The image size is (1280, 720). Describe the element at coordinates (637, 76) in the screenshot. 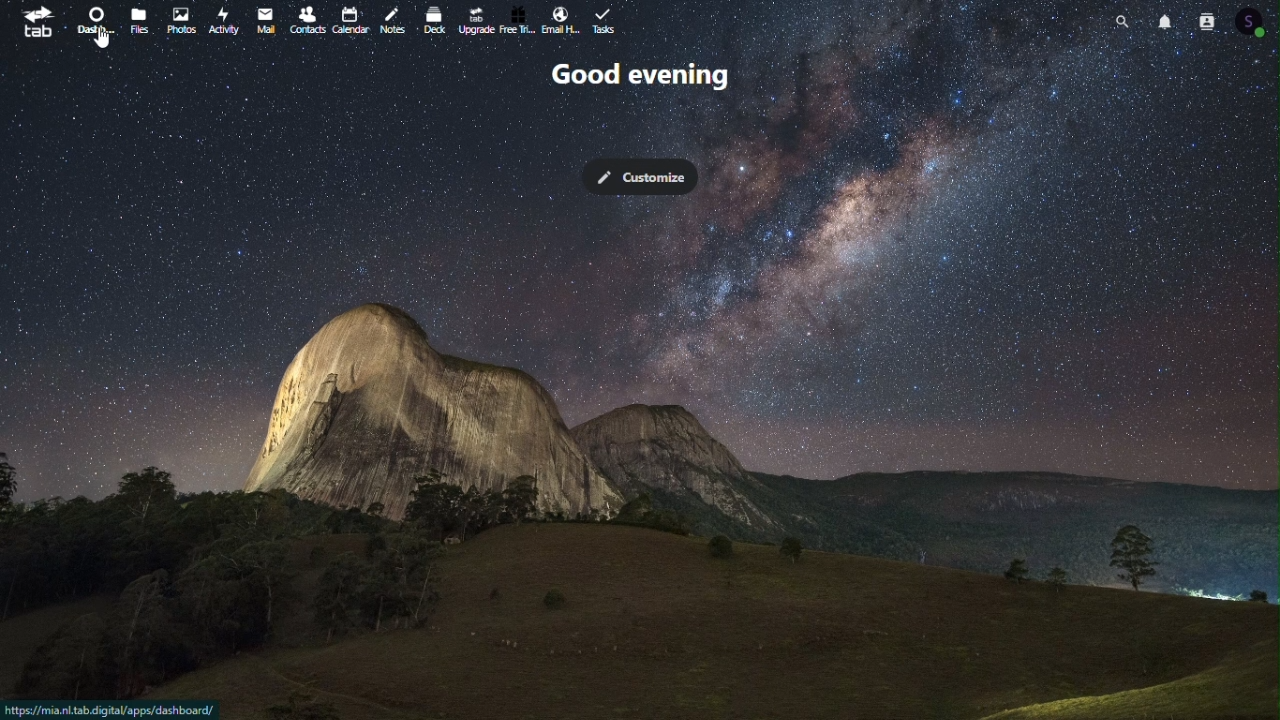

I see `Good evening` at that location.